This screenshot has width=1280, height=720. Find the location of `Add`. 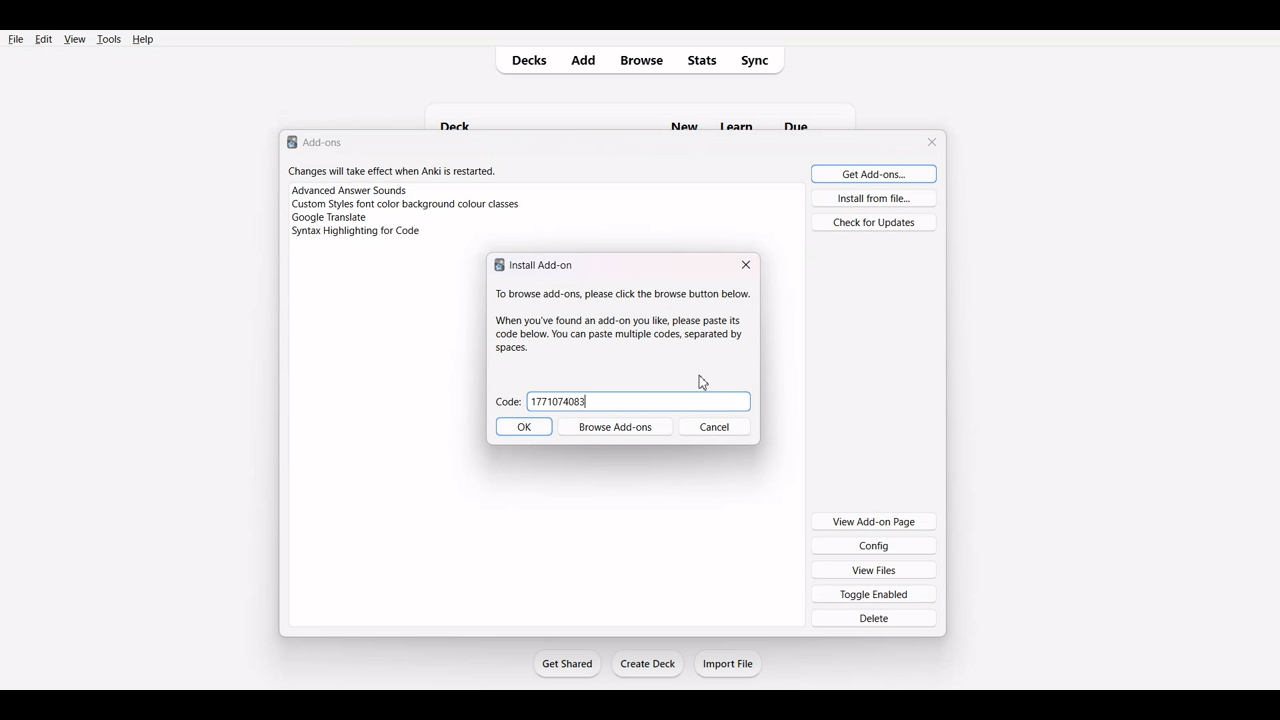

Add is located at coordinates (587, 60).